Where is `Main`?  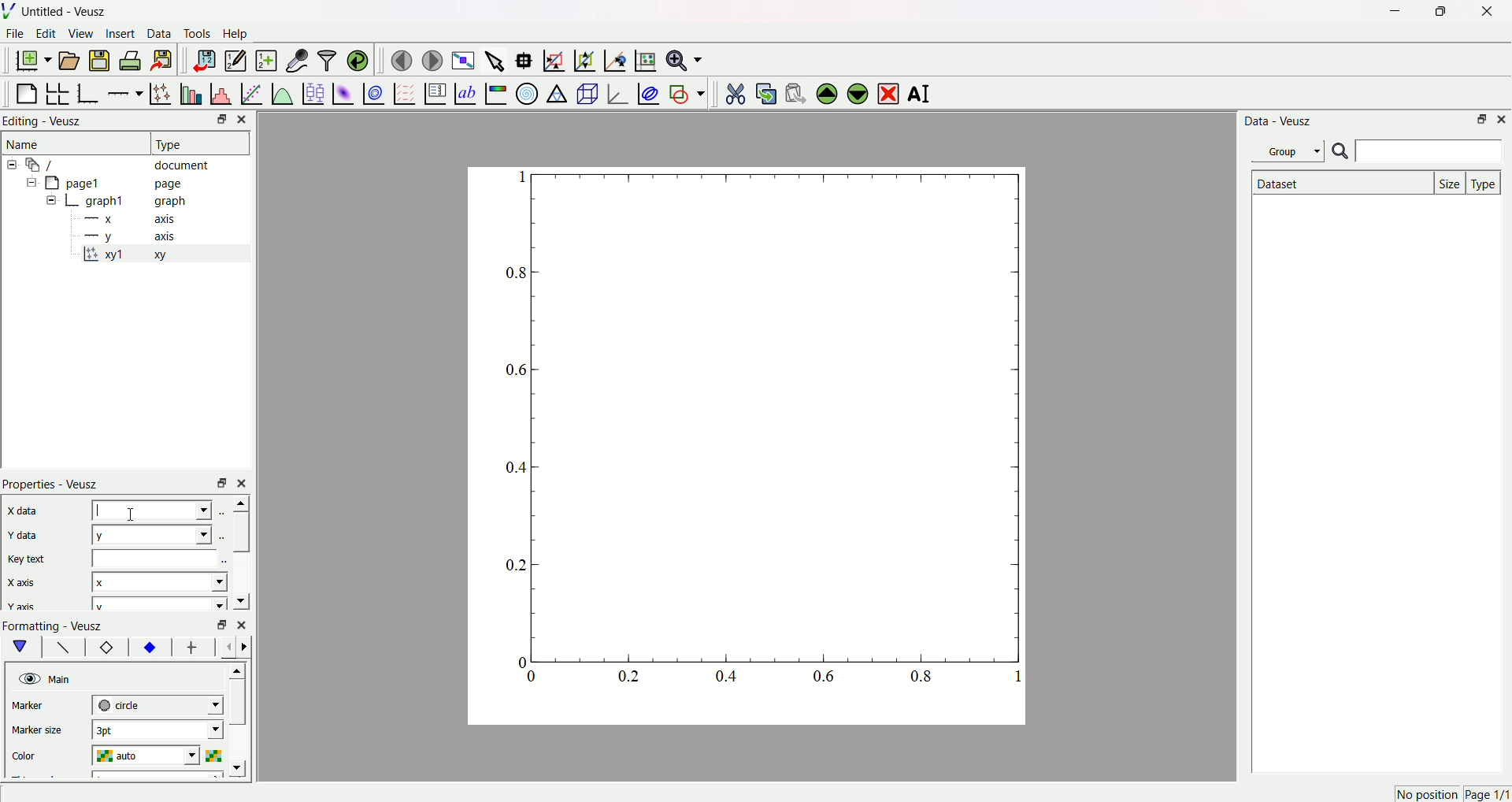
Main is located at coordinates (62, 678).